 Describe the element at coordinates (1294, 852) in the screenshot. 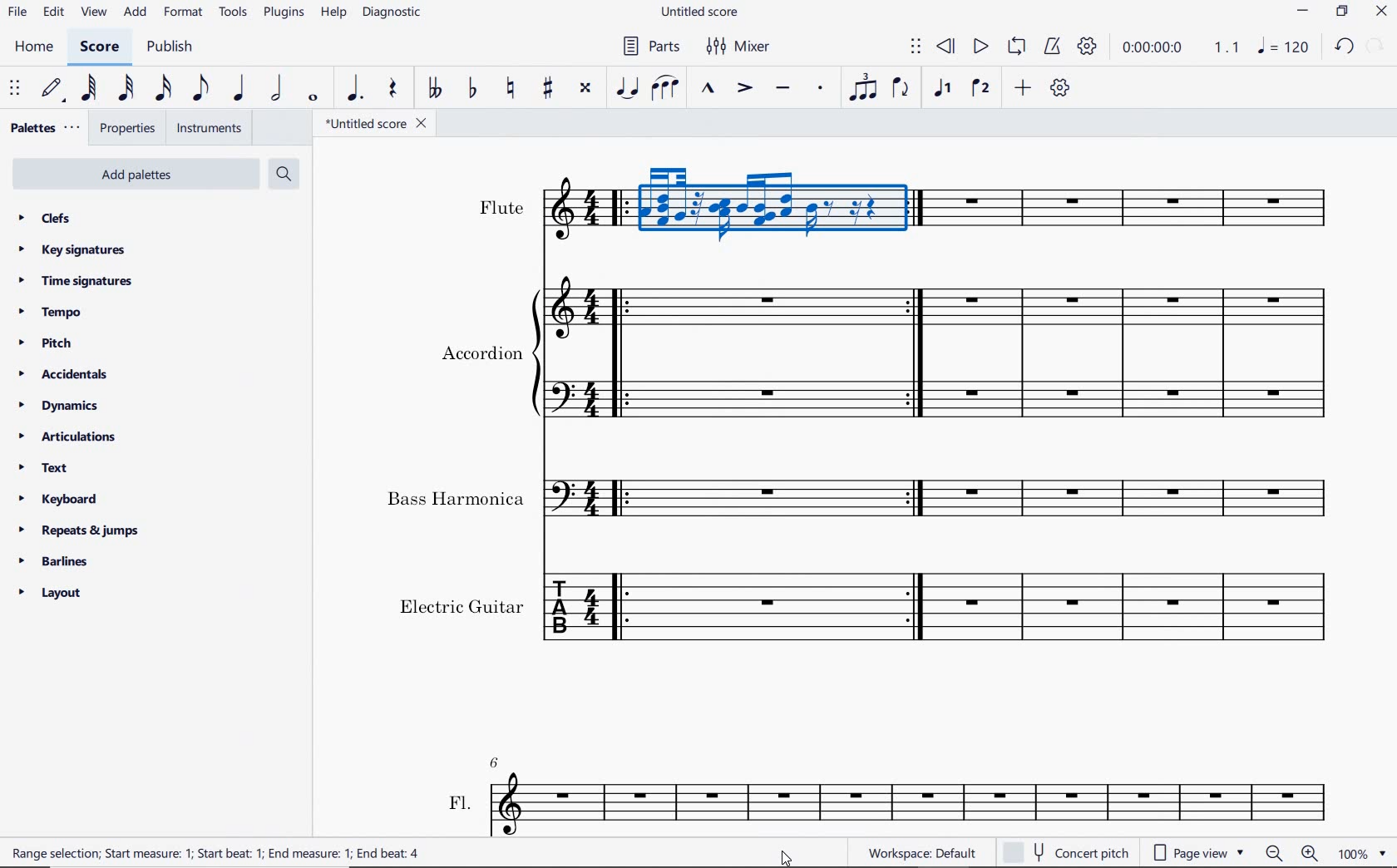

I see `zoom in or zoom out` at that location.